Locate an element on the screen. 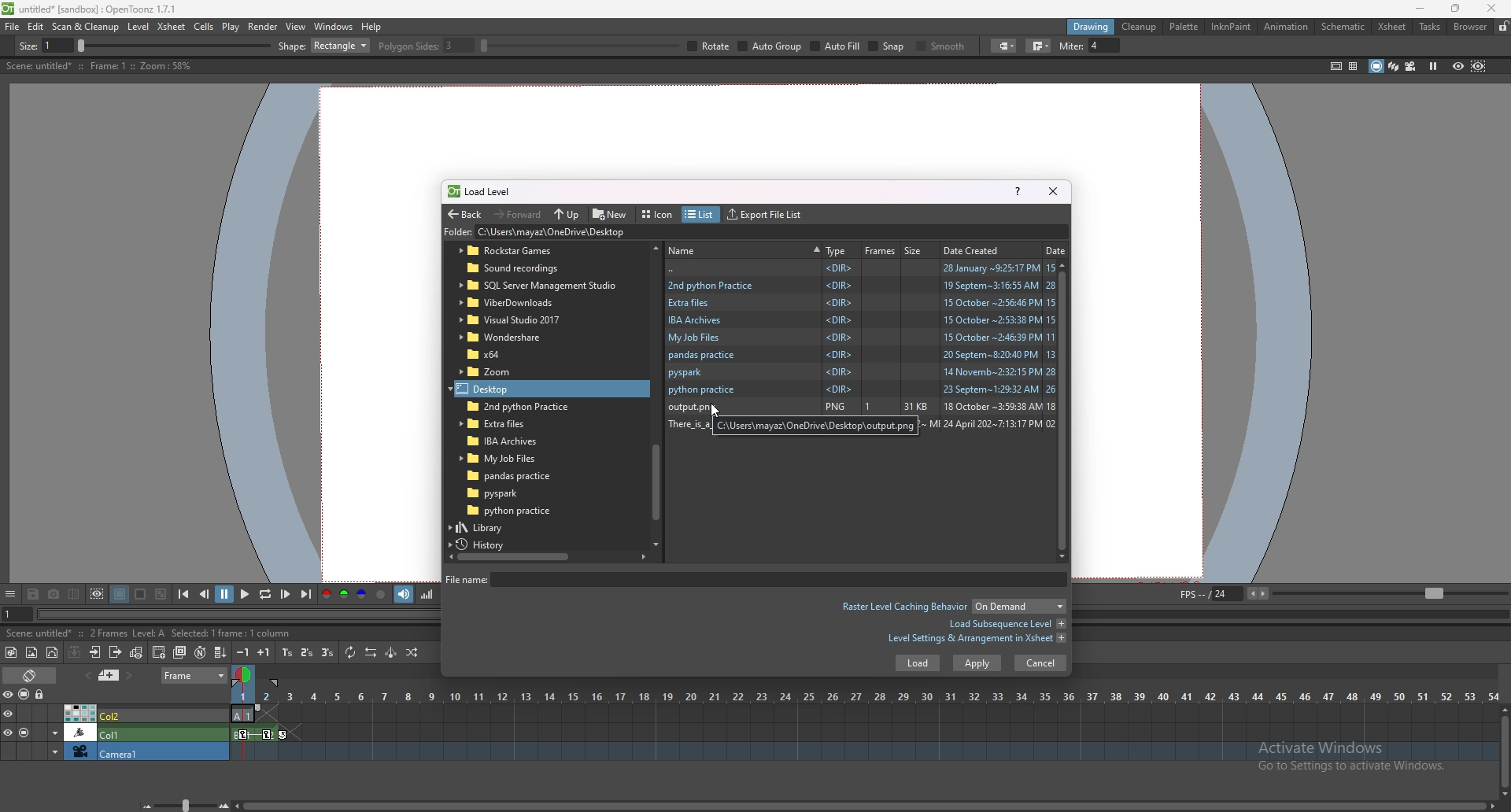 The image size is (1511, 812). toggle timeline is located at coordinates (31, 674).